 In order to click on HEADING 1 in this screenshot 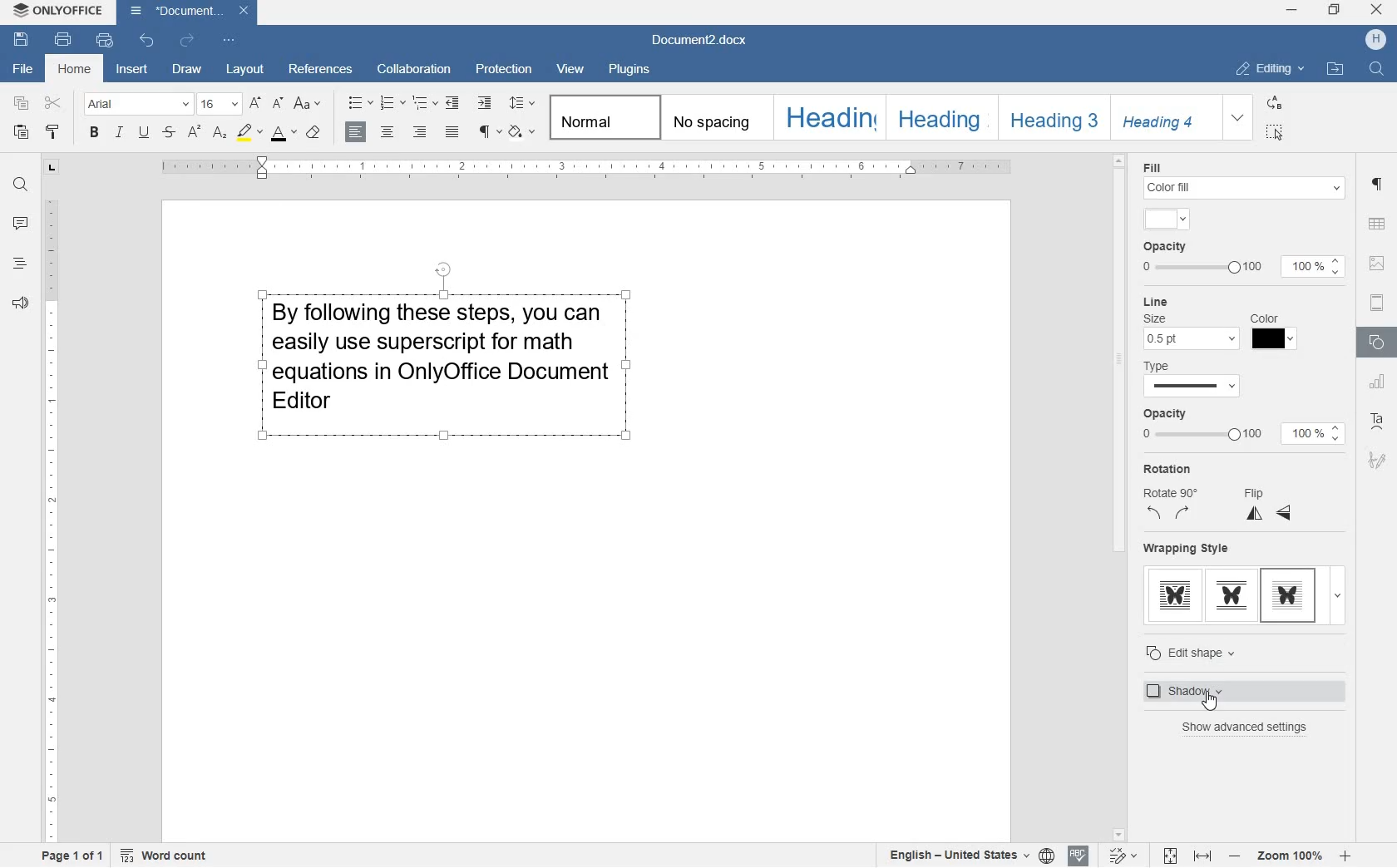, I will do `click(828, 117)`.